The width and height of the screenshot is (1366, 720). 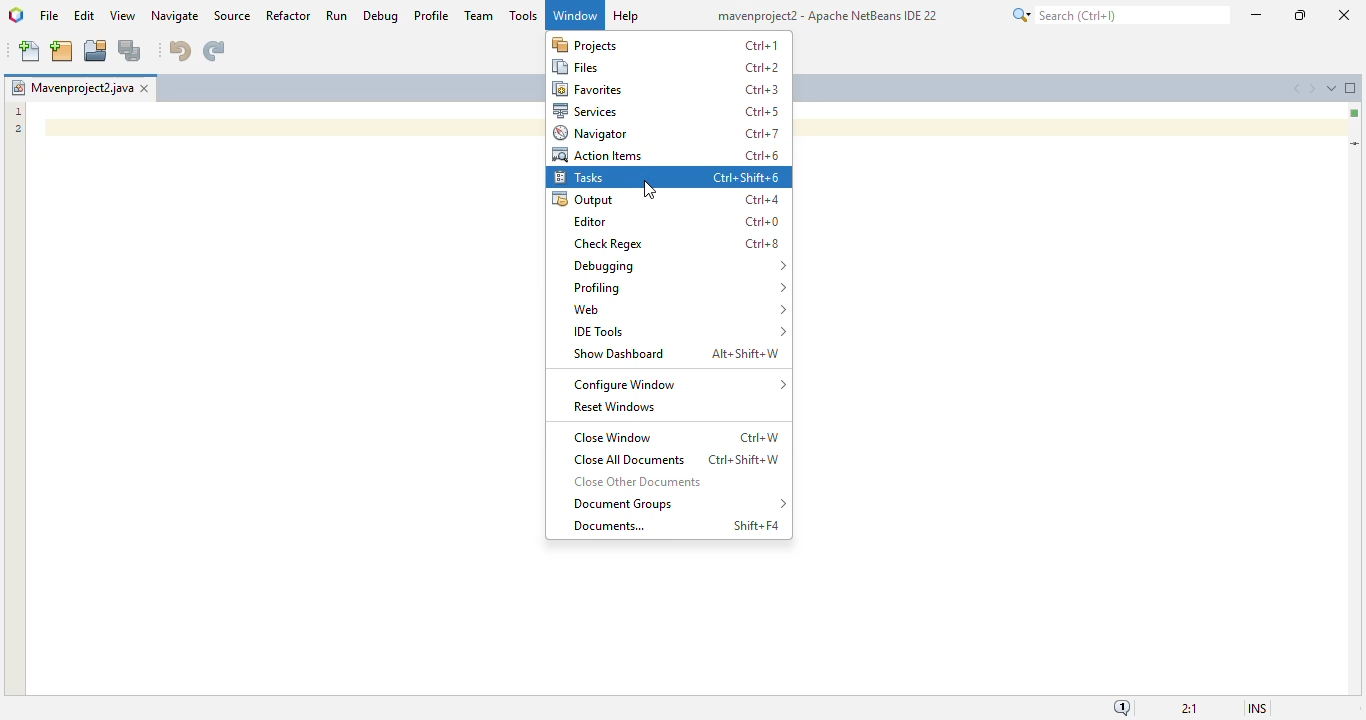 What do you see at coordinates (762, 200) in the screenshot?
I see `shortcut for output` at bounding box center [762, 200].